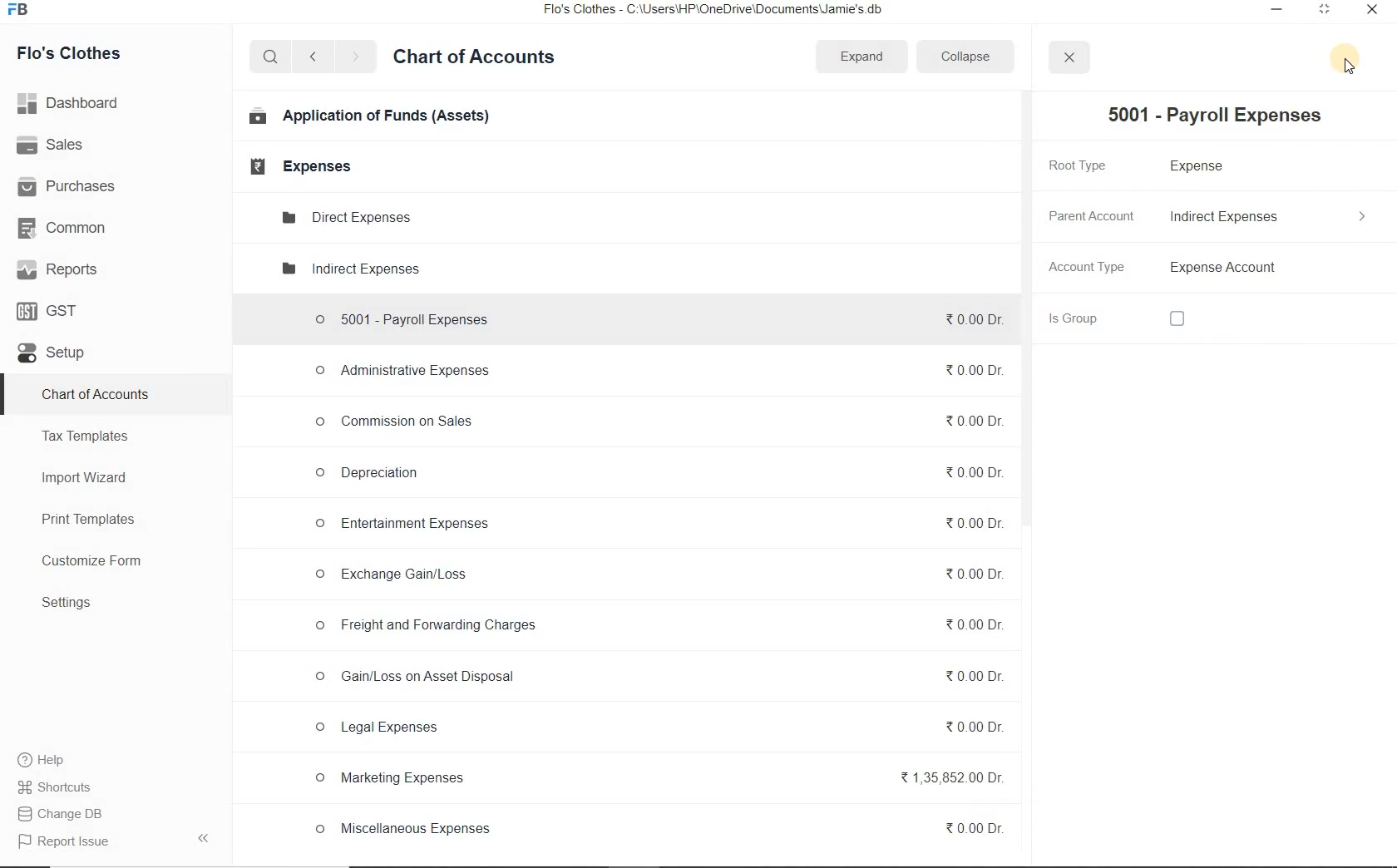 The width and height of the screenshot is (1397, 868). What do you see at coordinates (86, 436) in the screenshot?
I see `Tax Templates` at bounding box center [86, 436].